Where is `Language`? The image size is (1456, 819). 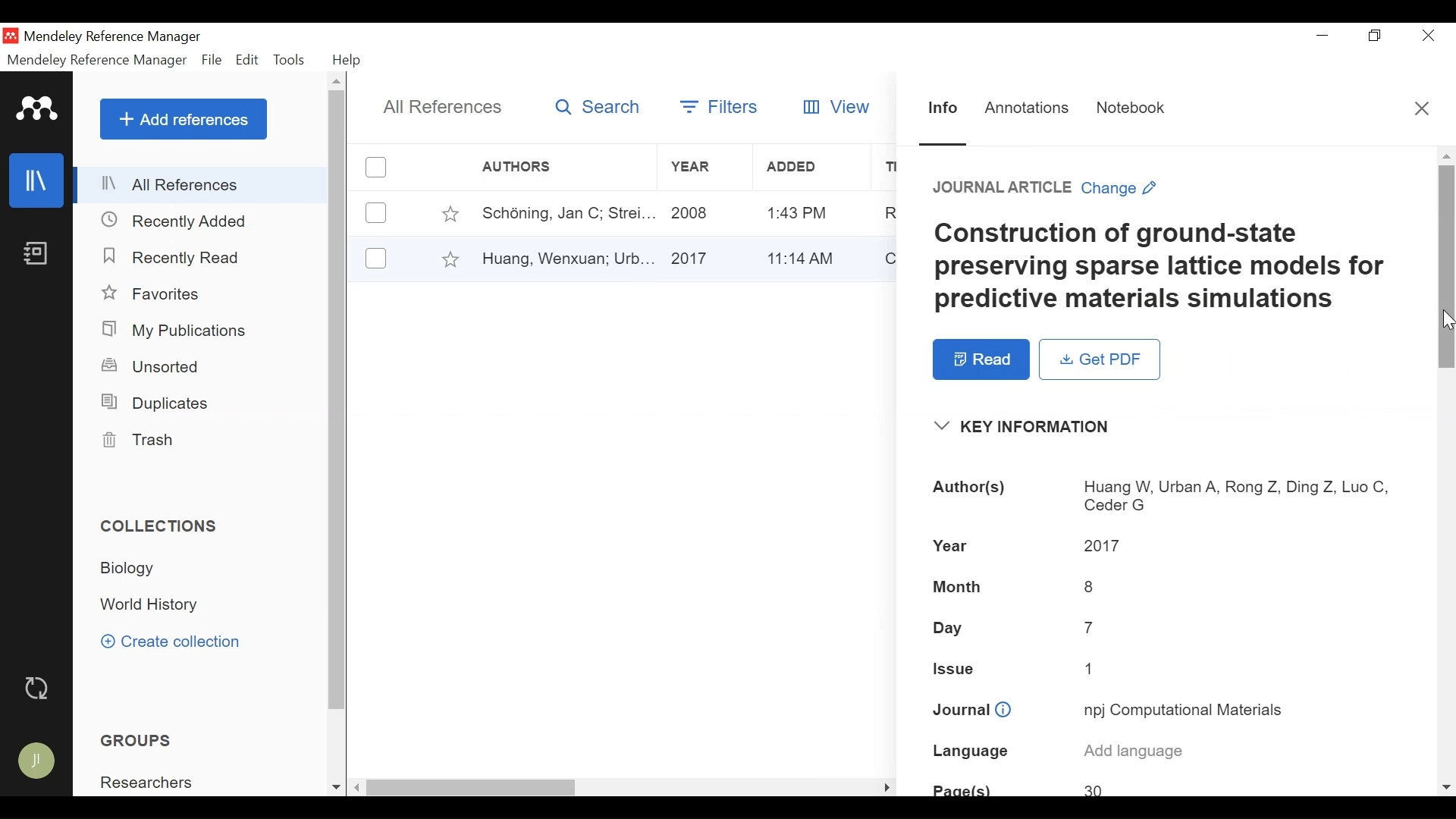 Language is located at coordinates (1172, 753).